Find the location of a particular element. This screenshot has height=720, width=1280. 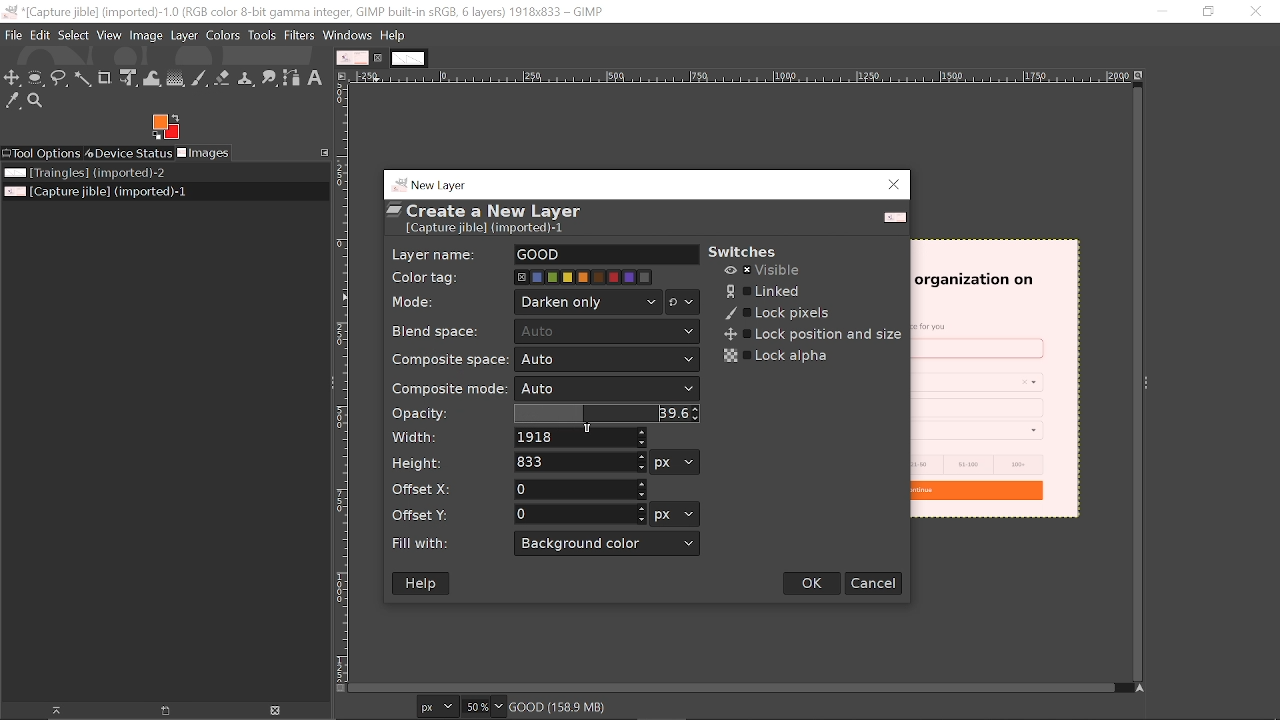

Current zoom is located at coordinates (478, 706).